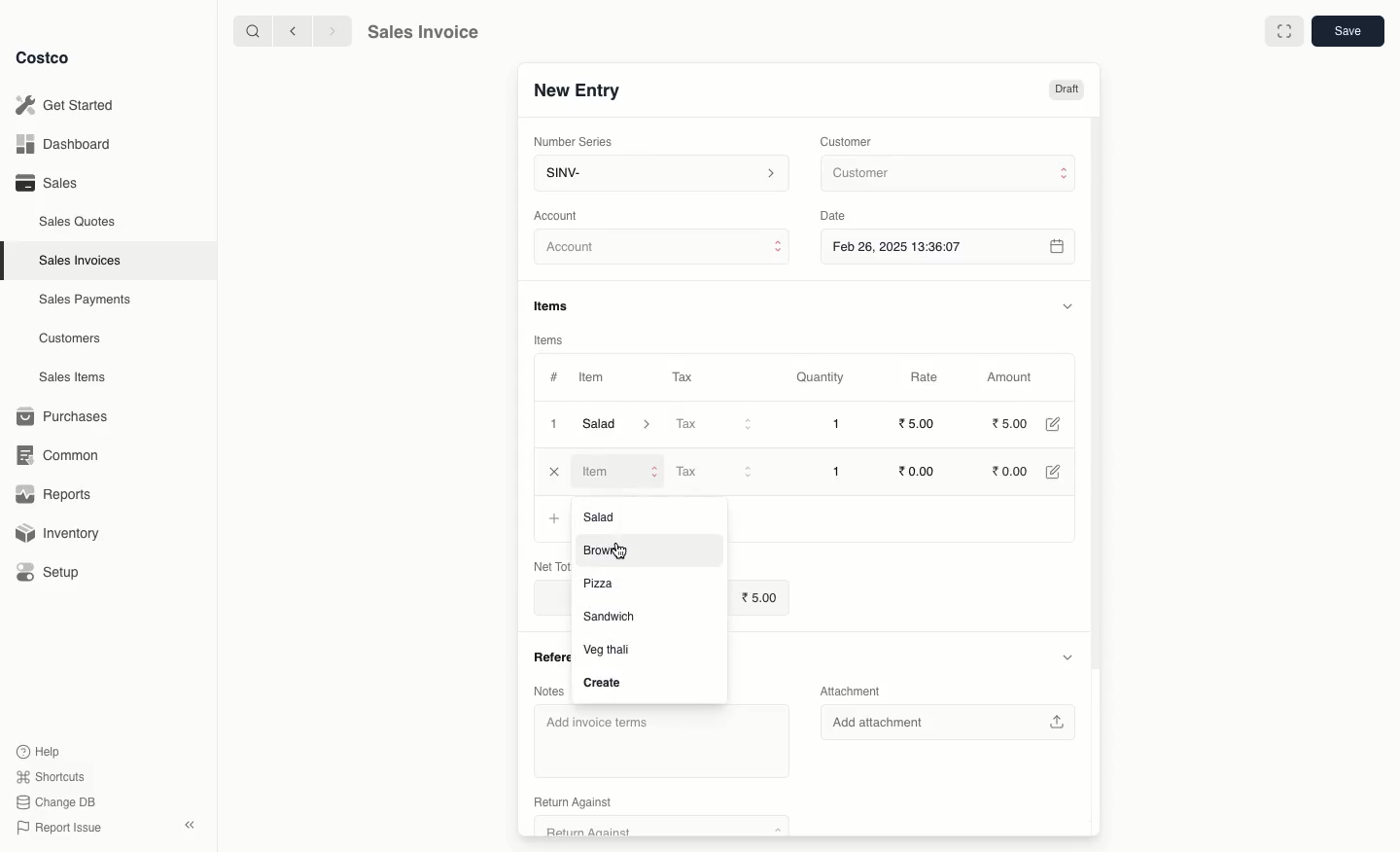  What do you see at coordinates (549, 339) in the screenshot?
I see `Items` at bounding box center [549, 339].